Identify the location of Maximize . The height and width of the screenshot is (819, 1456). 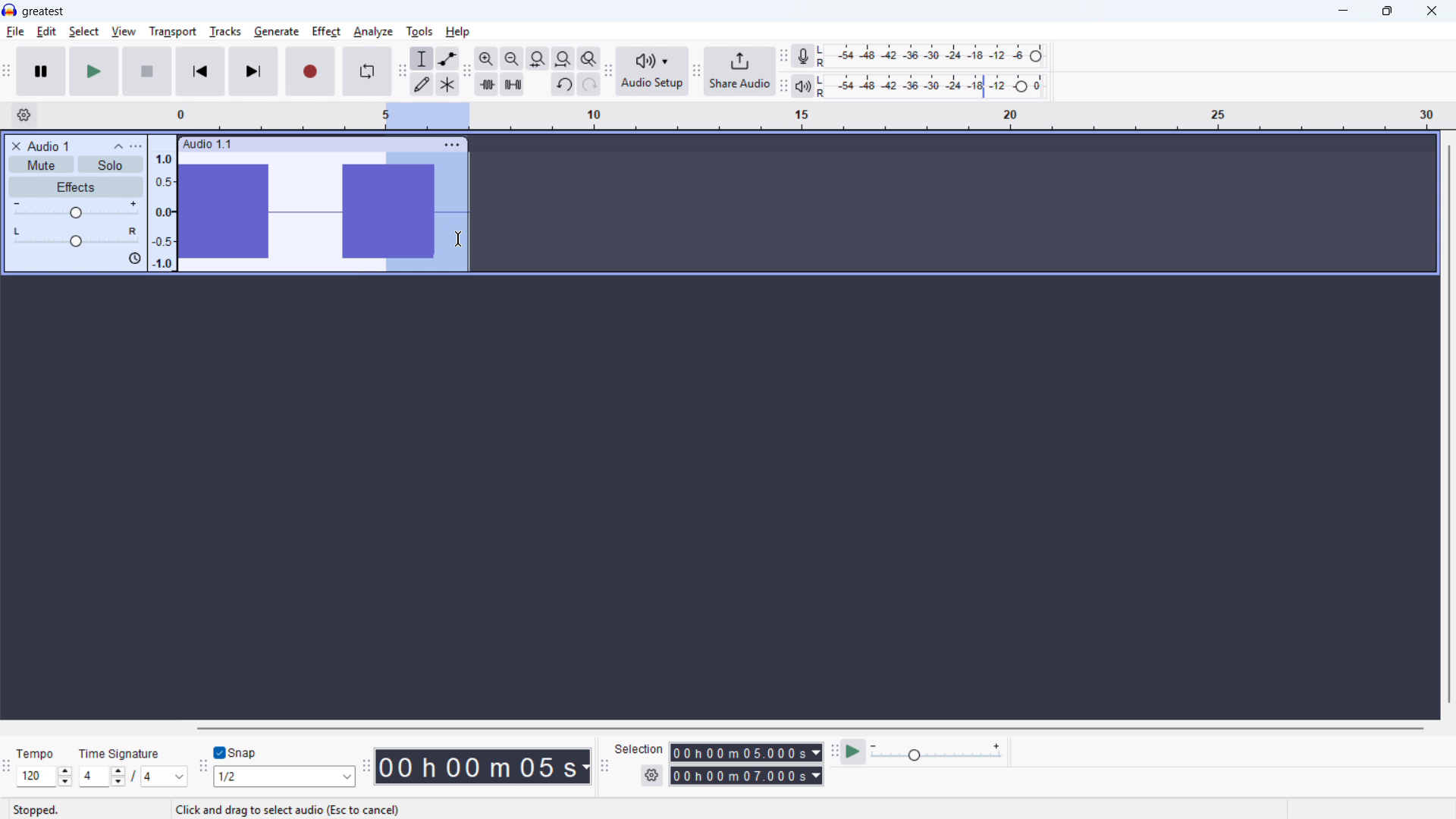
(1387, 11).